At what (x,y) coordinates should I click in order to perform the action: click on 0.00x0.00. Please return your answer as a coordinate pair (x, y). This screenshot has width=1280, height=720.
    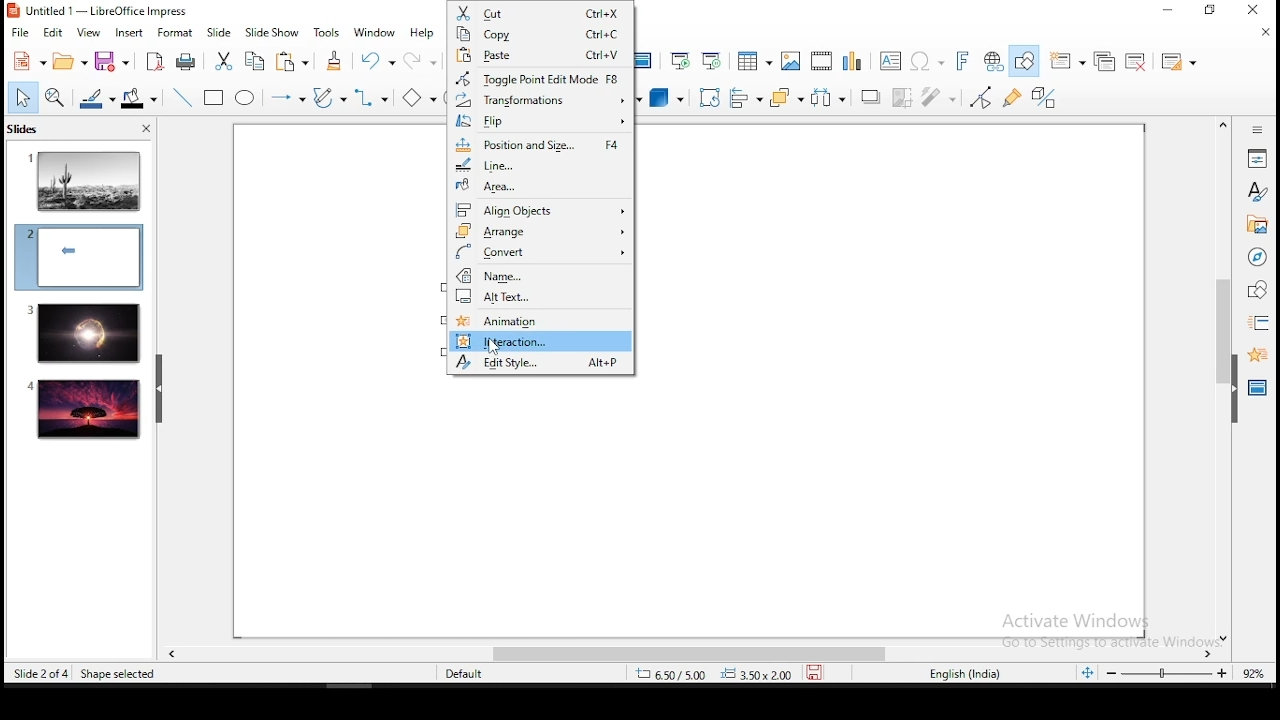
    Looking at the image, I should click on (757, 674).